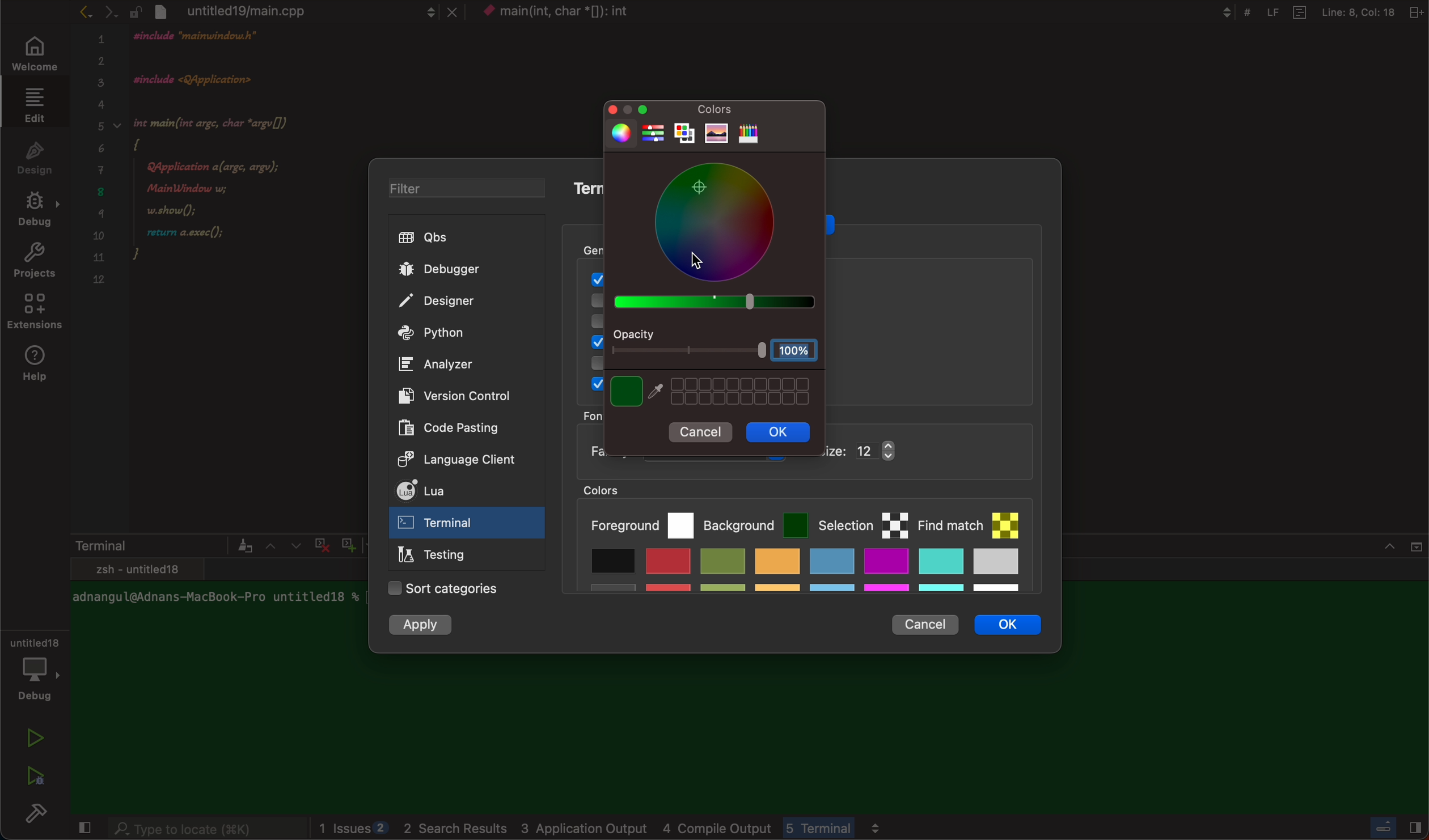  What do you see at coordinates (703, 434) in the screenshot?
I see `cancel` at bounding box center [703, 434].